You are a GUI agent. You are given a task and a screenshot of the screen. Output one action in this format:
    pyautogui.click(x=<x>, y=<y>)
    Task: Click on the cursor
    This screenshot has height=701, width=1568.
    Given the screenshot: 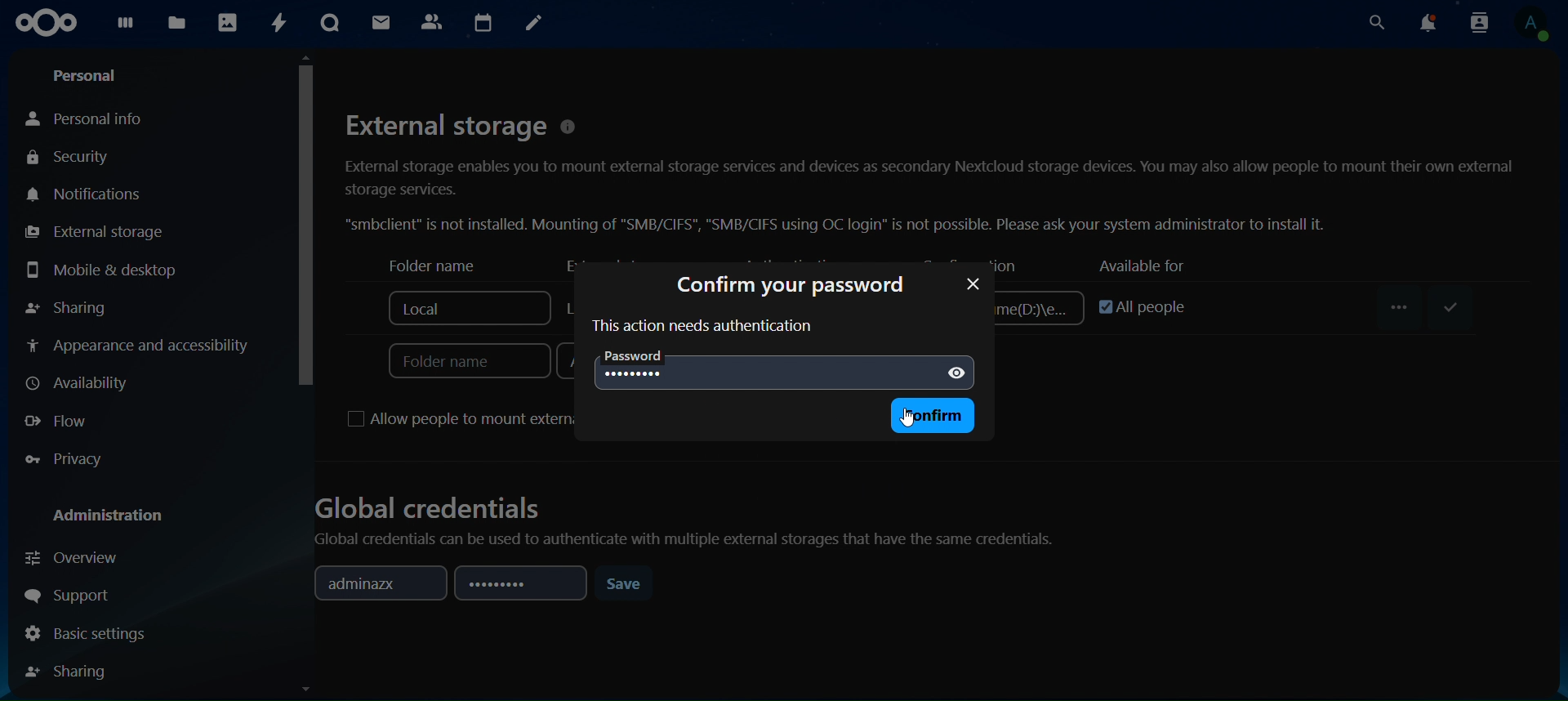 What is the action you would take?
    pyautogui.click(x=305, y=221)
    